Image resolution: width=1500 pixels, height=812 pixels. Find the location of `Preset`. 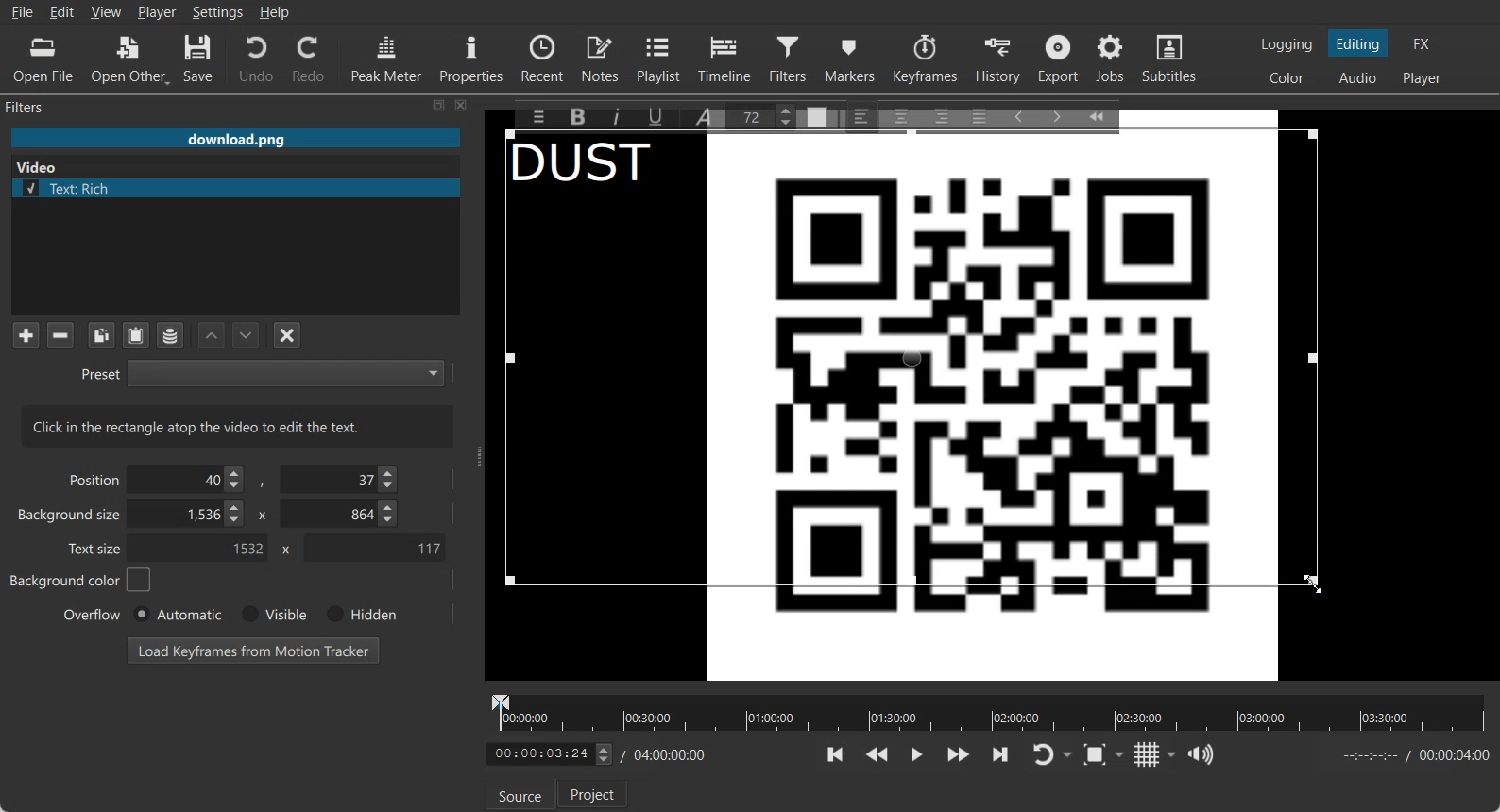

Preset is located at coordinates (262, 372).